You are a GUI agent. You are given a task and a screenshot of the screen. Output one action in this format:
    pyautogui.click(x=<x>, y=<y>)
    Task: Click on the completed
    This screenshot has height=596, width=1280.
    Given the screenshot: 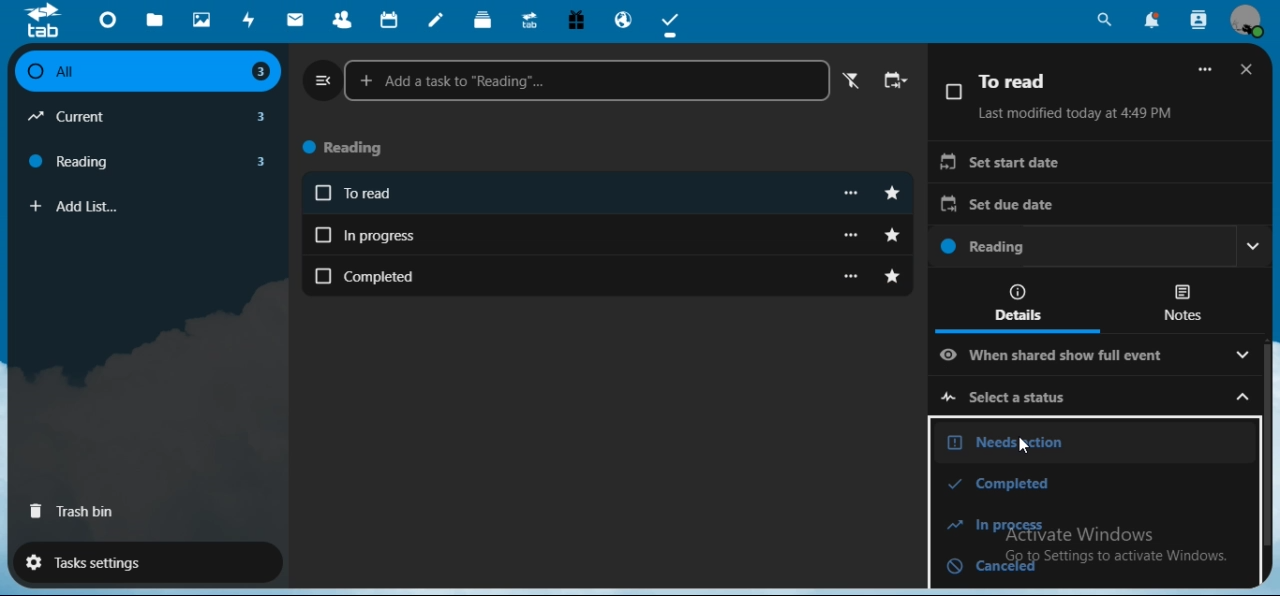 What is the action you would take?
    pyautogui.click(x=1095, y=481)
    